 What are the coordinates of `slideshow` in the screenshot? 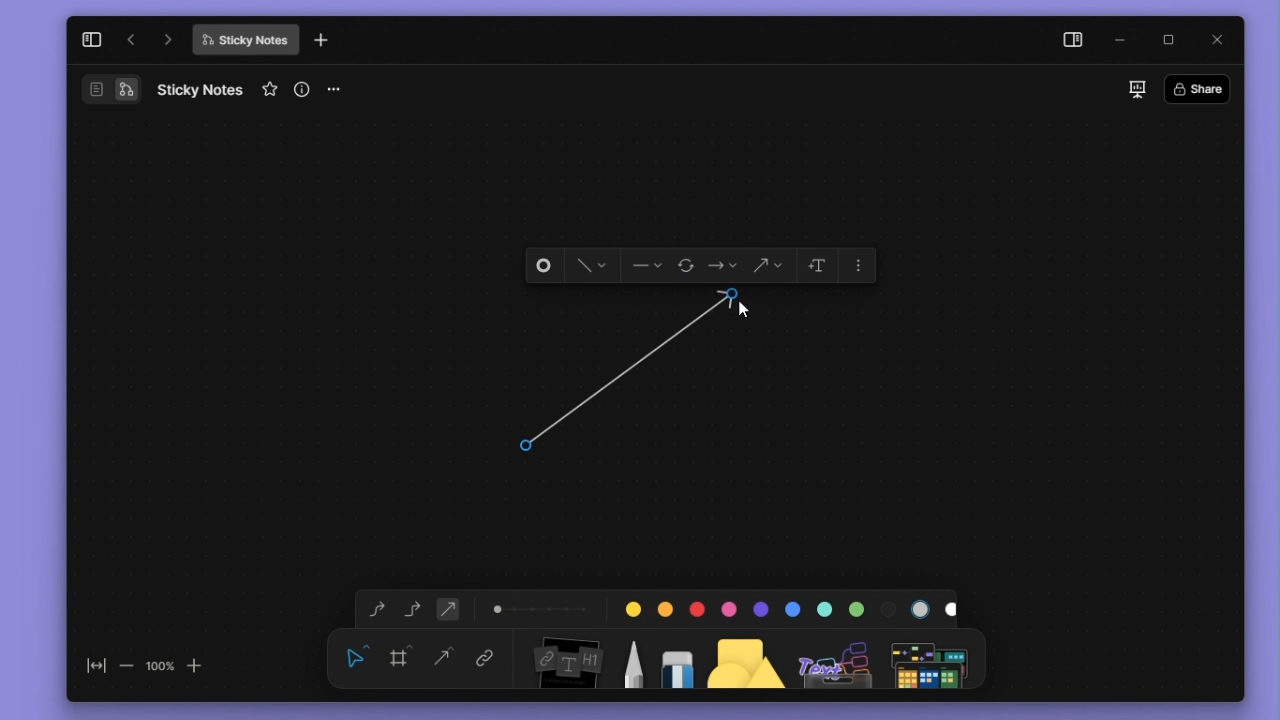 It's located at (1136, 89).